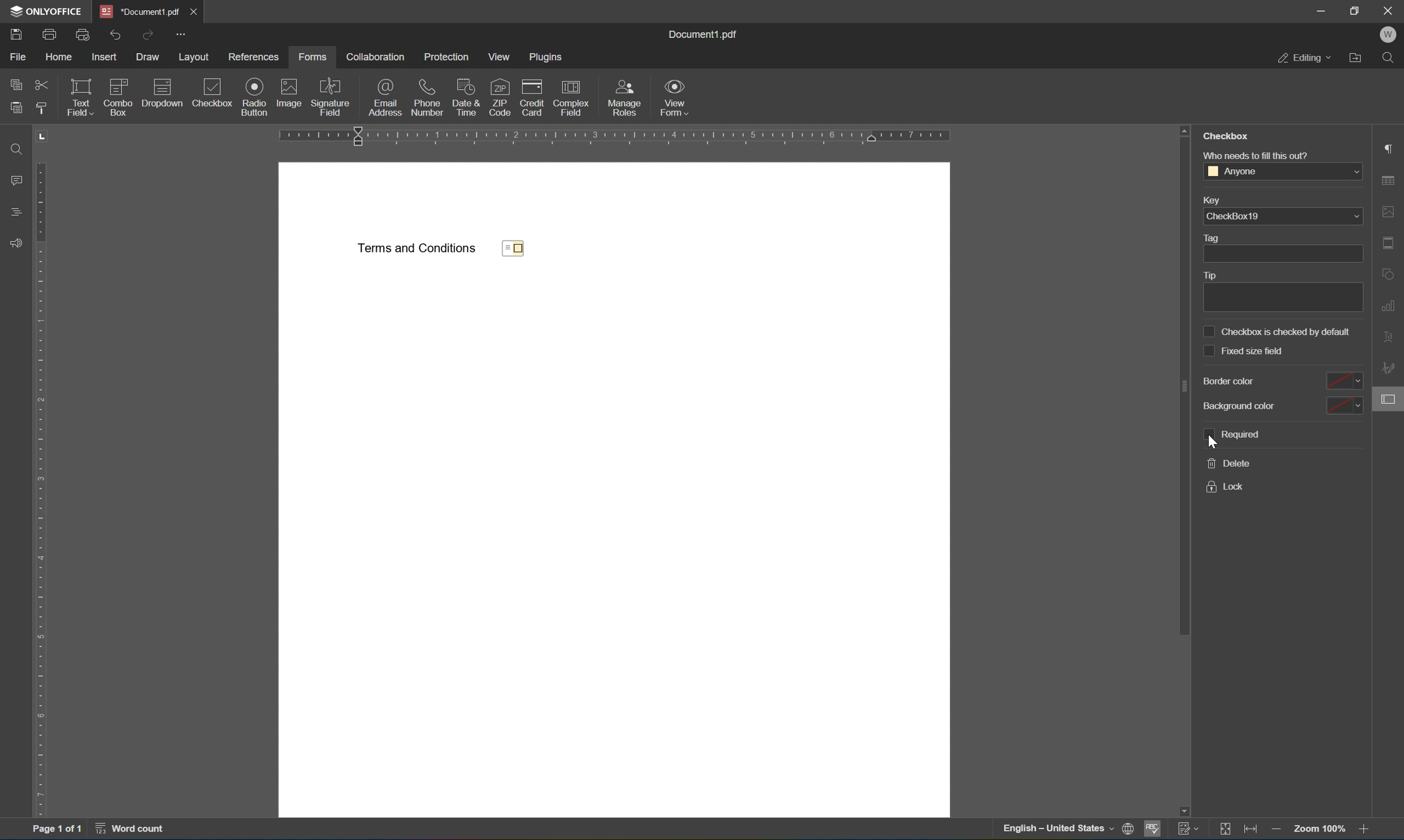 This screenshot has width=1404, height=840. What do you see at coordinates (500, 57) in the screenshot?
I see `view` at bounding box center [500, 57].